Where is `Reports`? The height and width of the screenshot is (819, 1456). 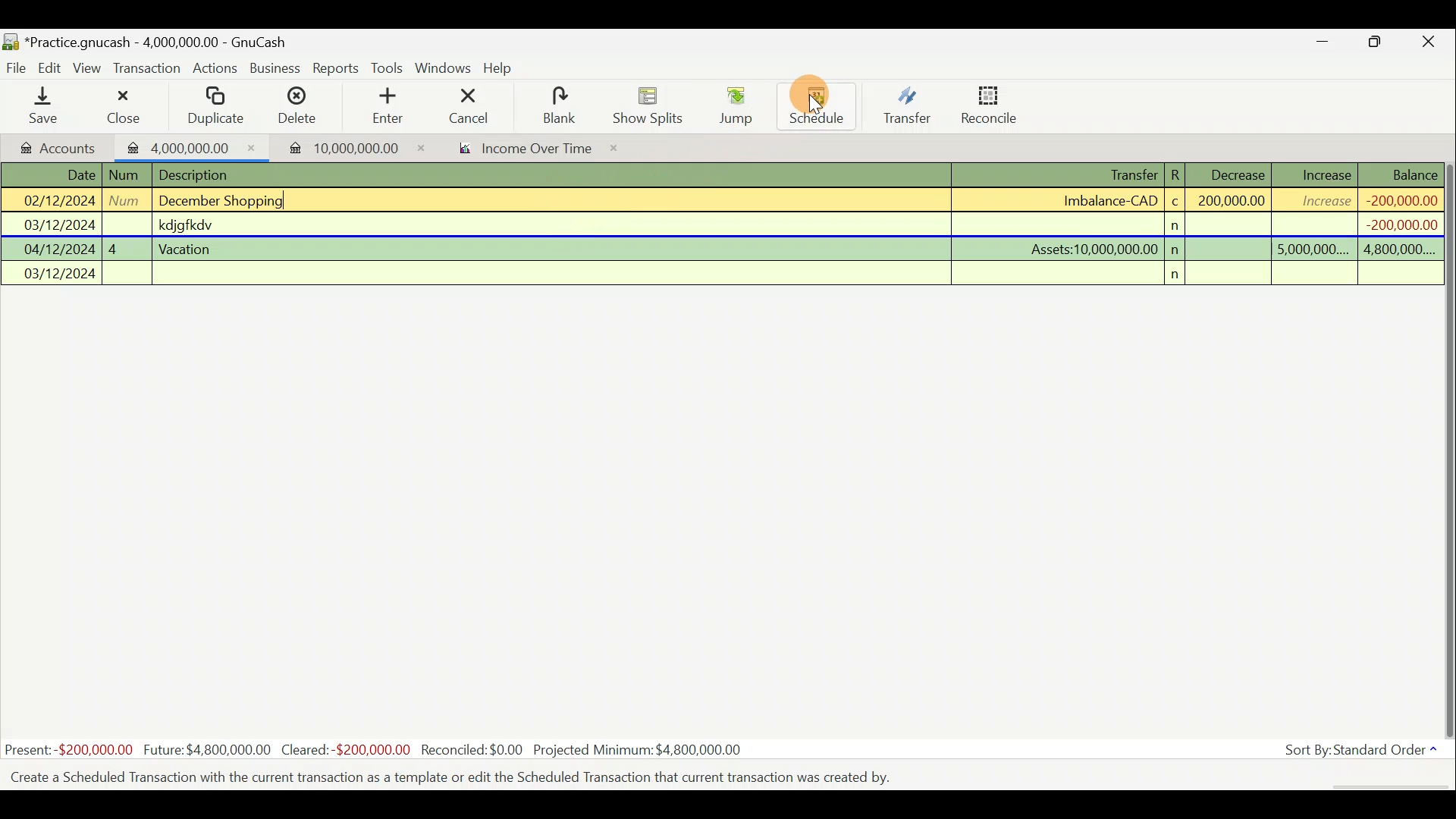
Reports is located at coordinates (336, 68).